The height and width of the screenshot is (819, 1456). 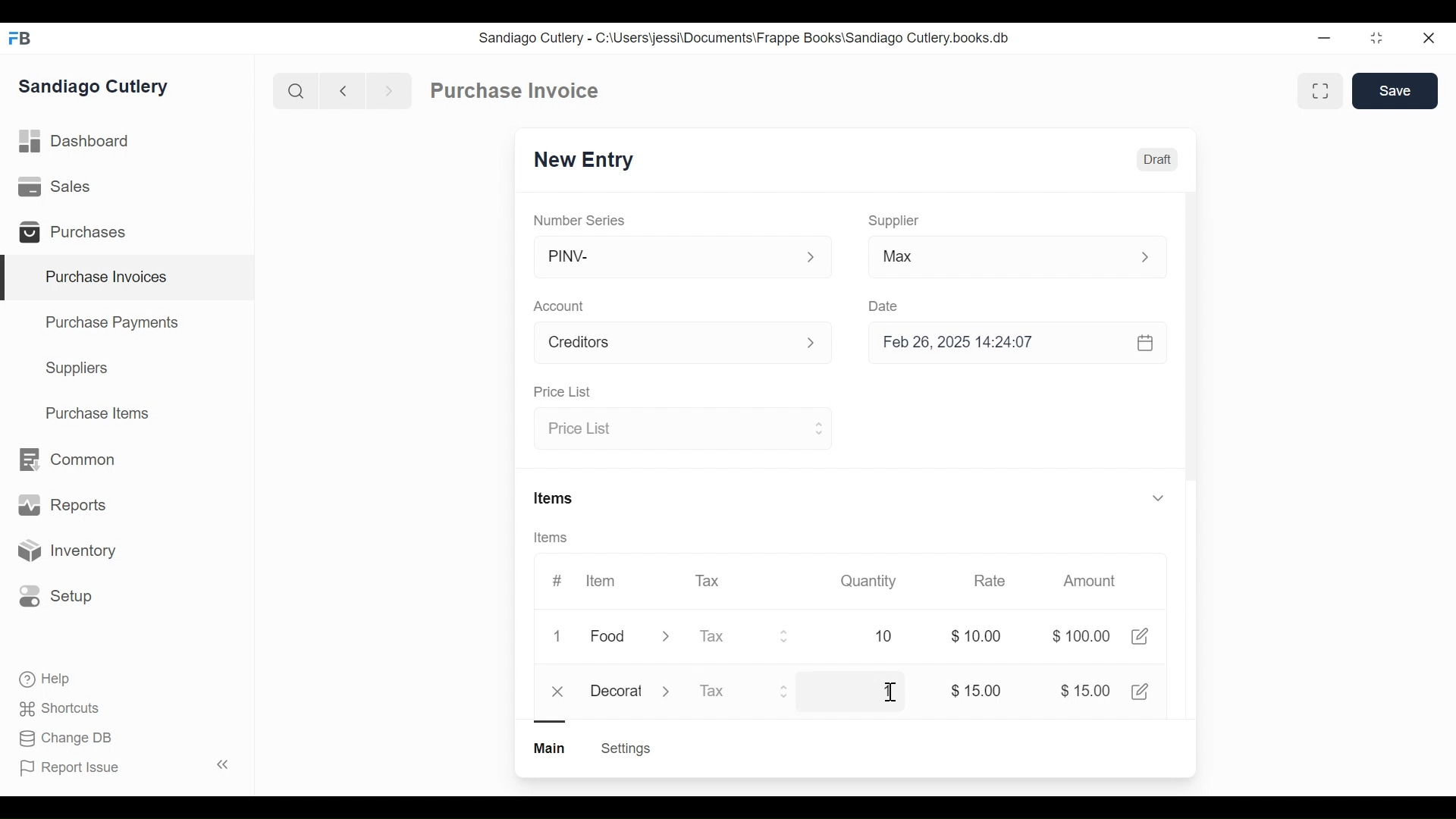 I want to click on Toggle between form and full view, so click(x=1321, y=91).